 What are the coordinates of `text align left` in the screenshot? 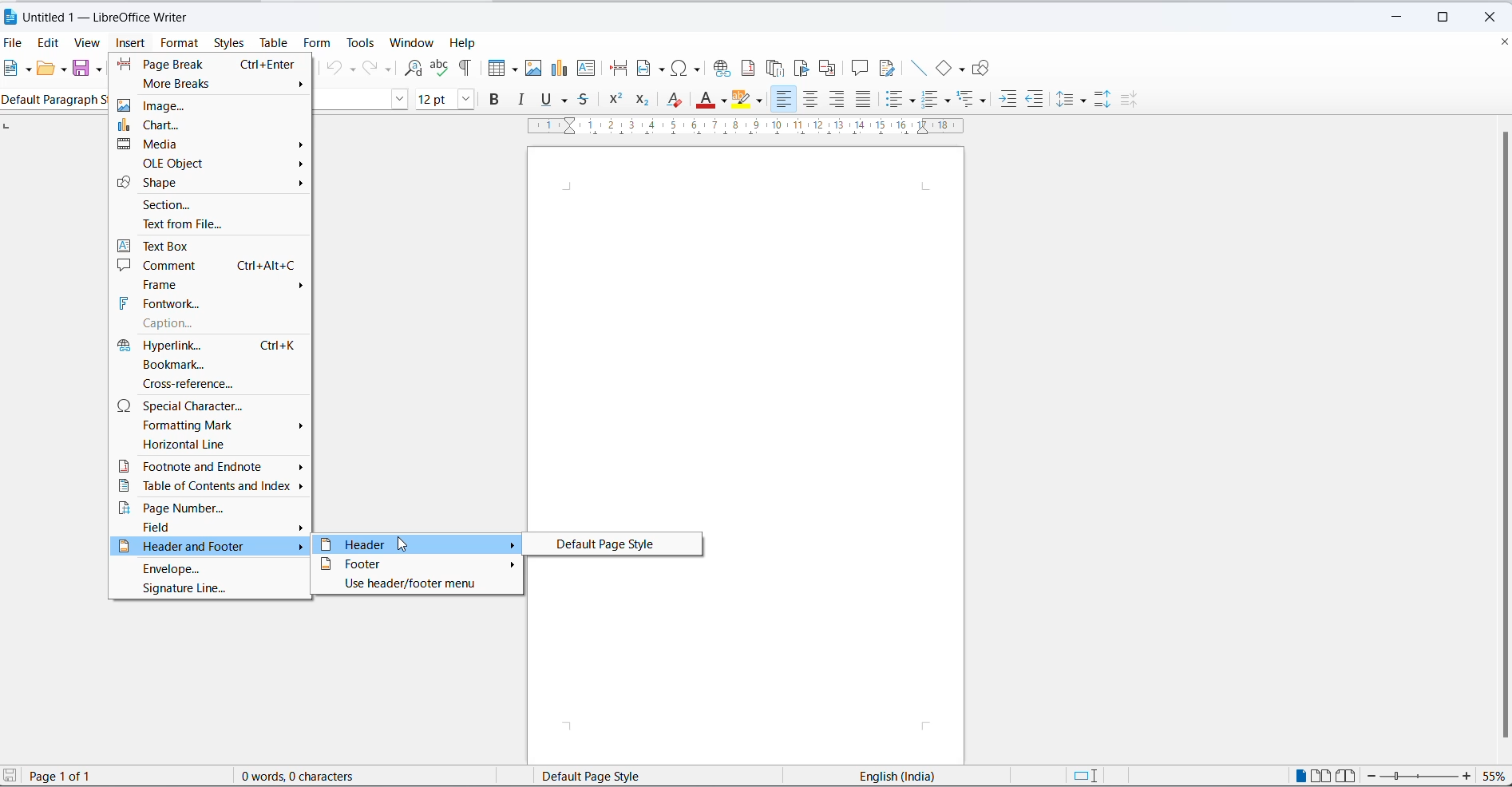 It's located at (784, 101).